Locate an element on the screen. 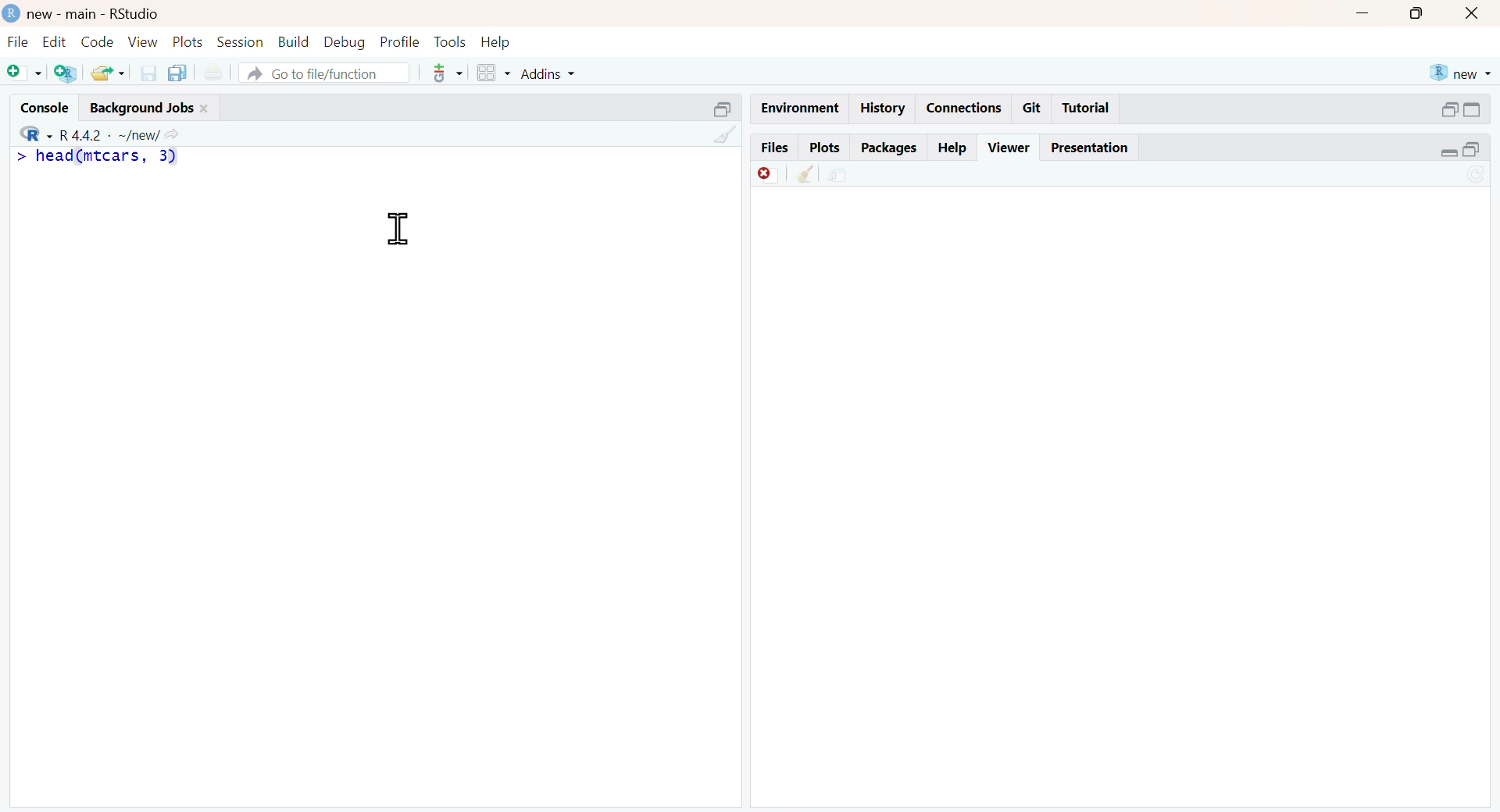 Image resolution: width=1500 pixels, height=812 pixels. Edit is located at coordinates (52, 40).